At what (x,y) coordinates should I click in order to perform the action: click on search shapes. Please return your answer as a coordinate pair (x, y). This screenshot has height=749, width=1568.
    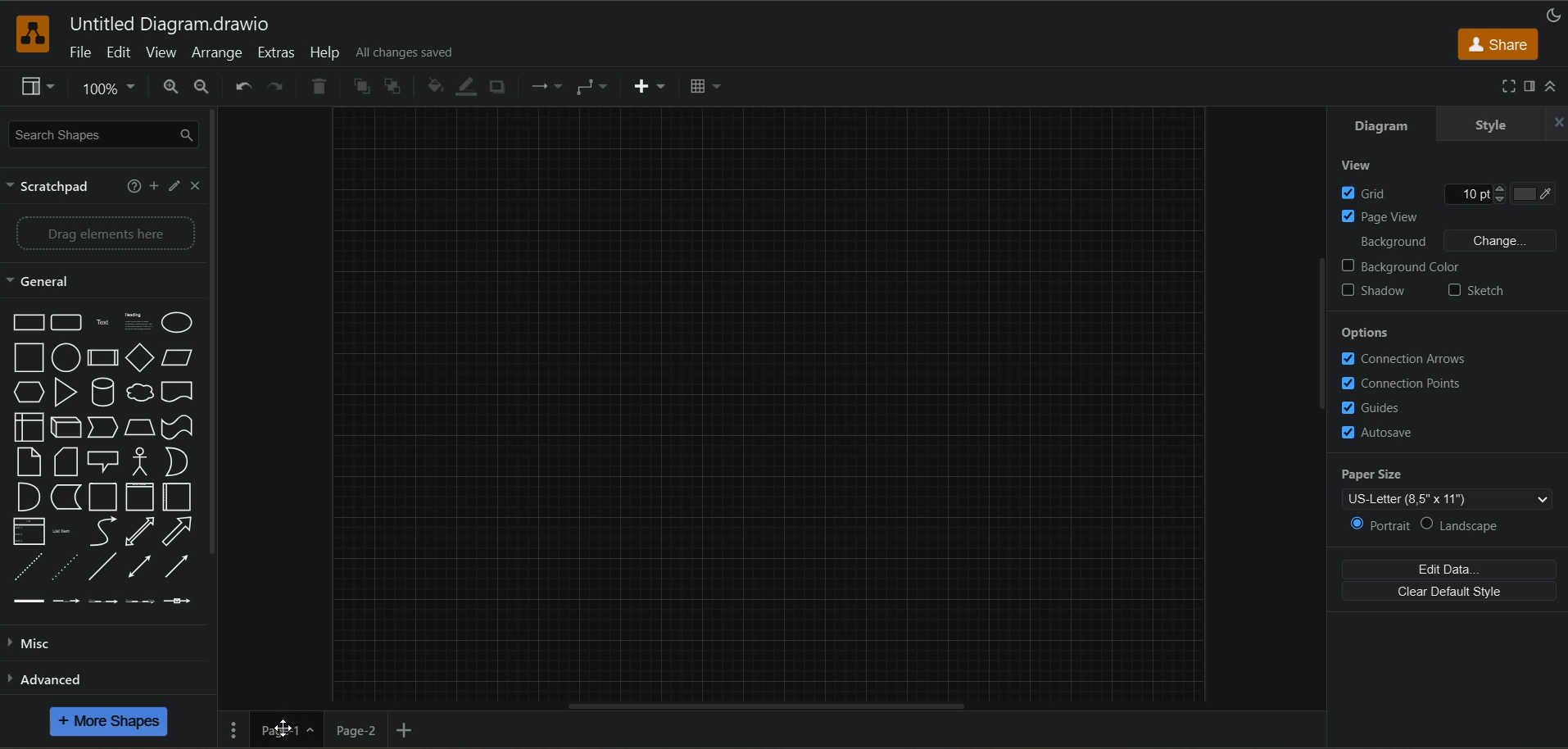
    Looking at the image, I should click on (105, 136).